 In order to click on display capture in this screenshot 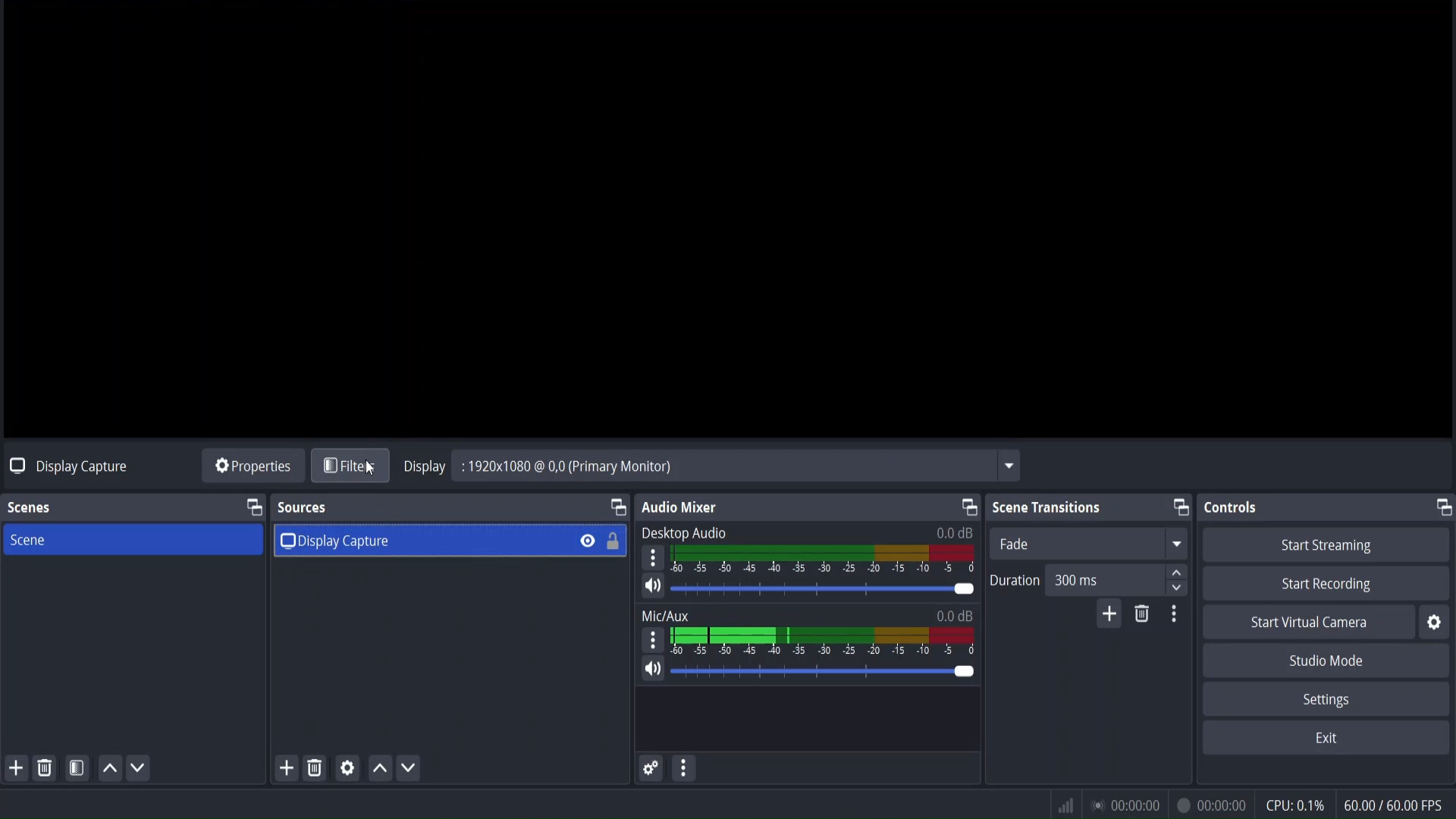, I will do `click(335, 541)`.